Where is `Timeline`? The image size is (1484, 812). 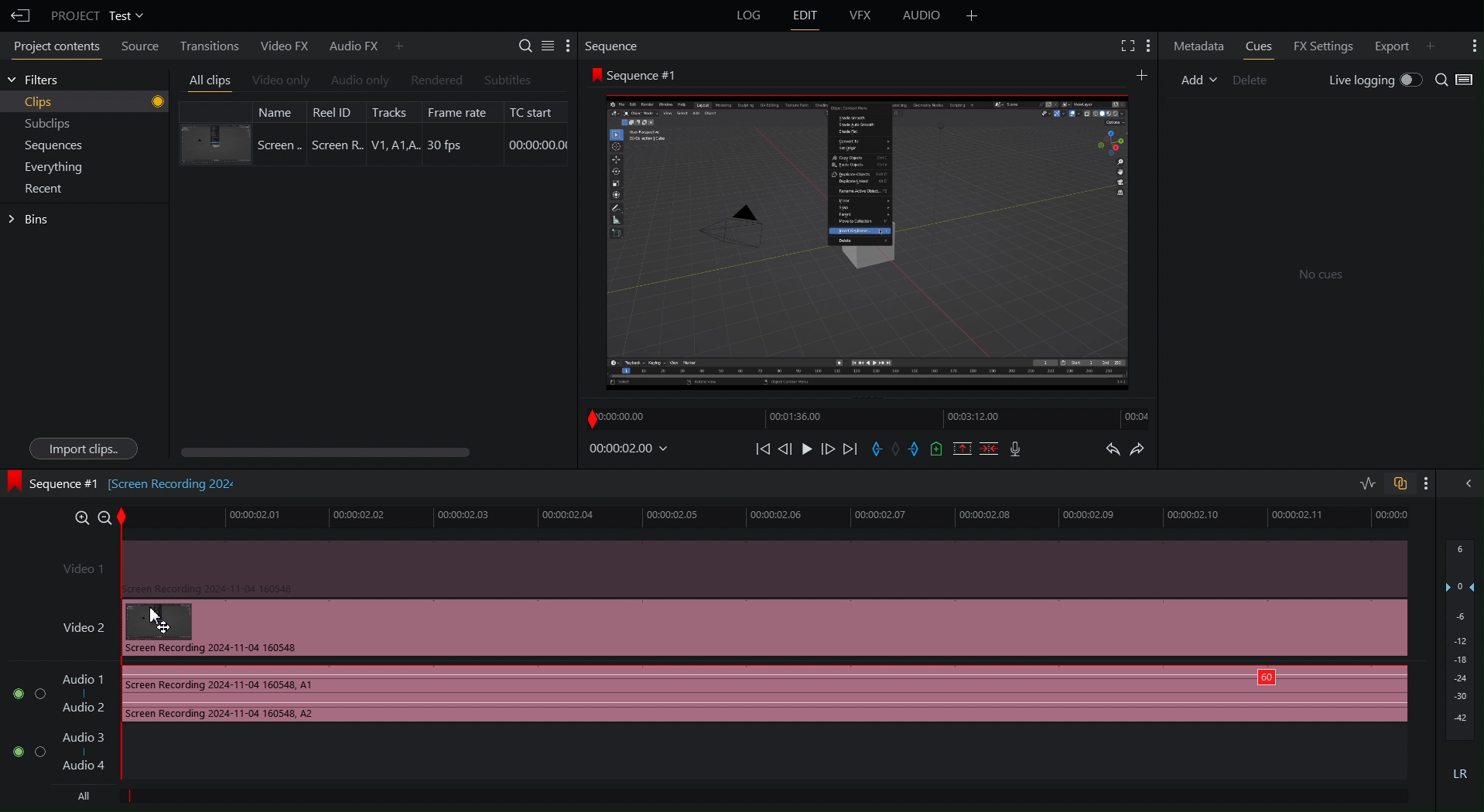 Timeline is located at coordinates (868, 421).